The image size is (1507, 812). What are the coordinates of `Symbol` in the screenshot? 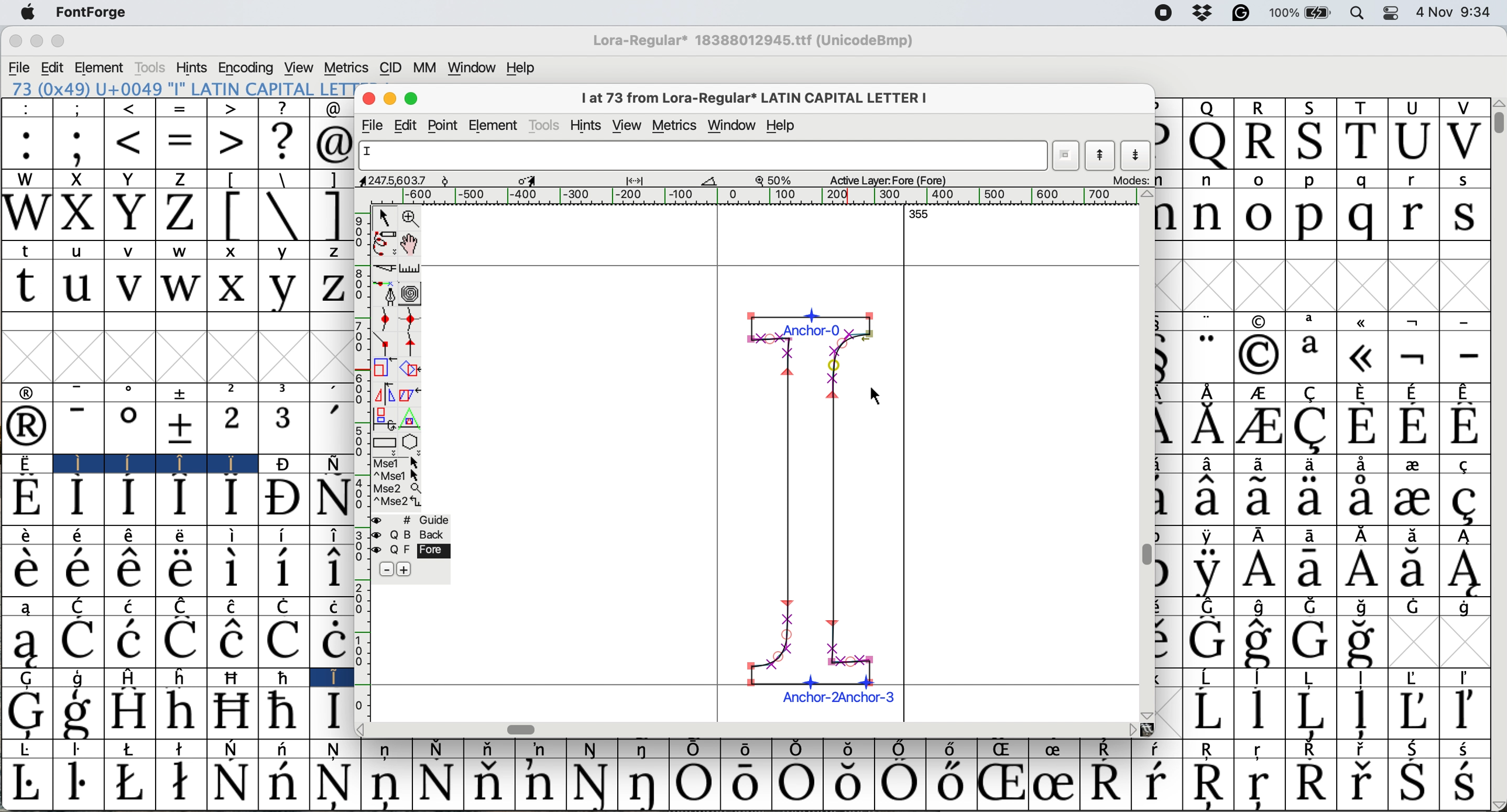 It's located at (1314, 607).